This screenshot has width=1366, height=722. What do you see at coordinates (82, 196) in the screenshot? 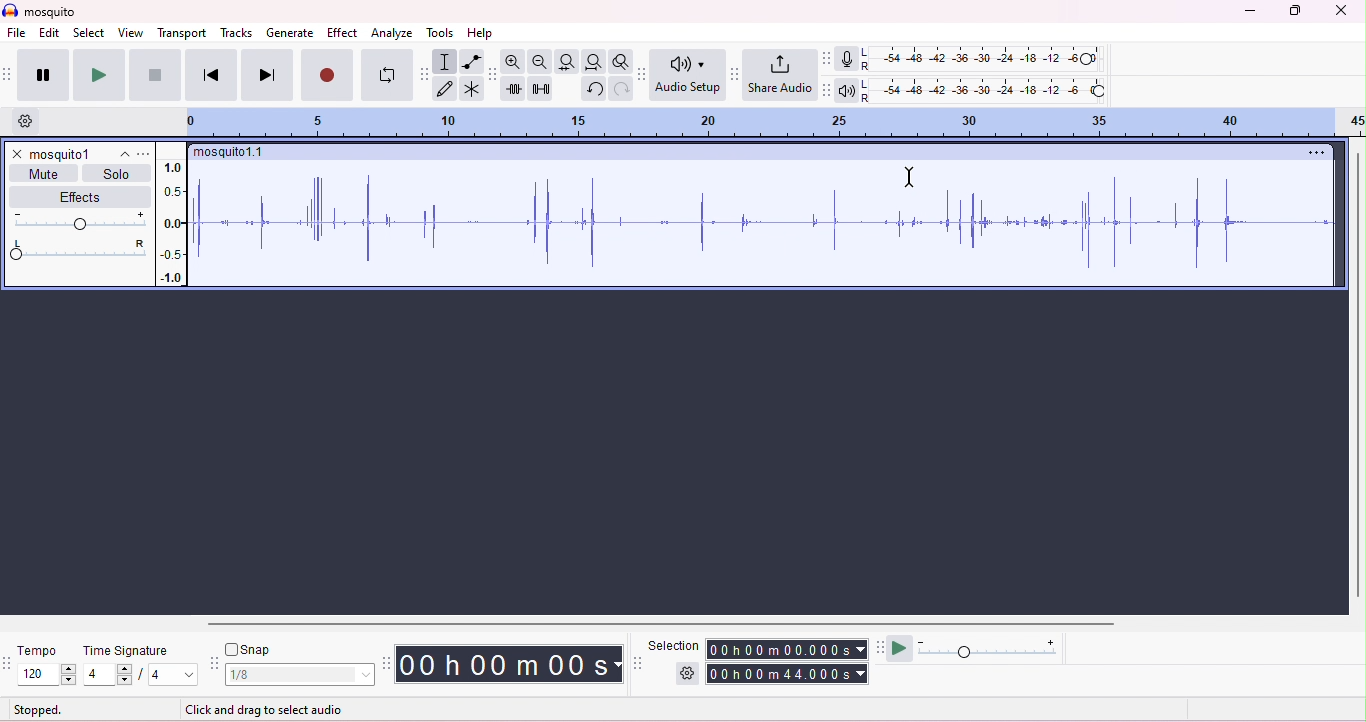
I see `effects` at bounding box center [82, 196].